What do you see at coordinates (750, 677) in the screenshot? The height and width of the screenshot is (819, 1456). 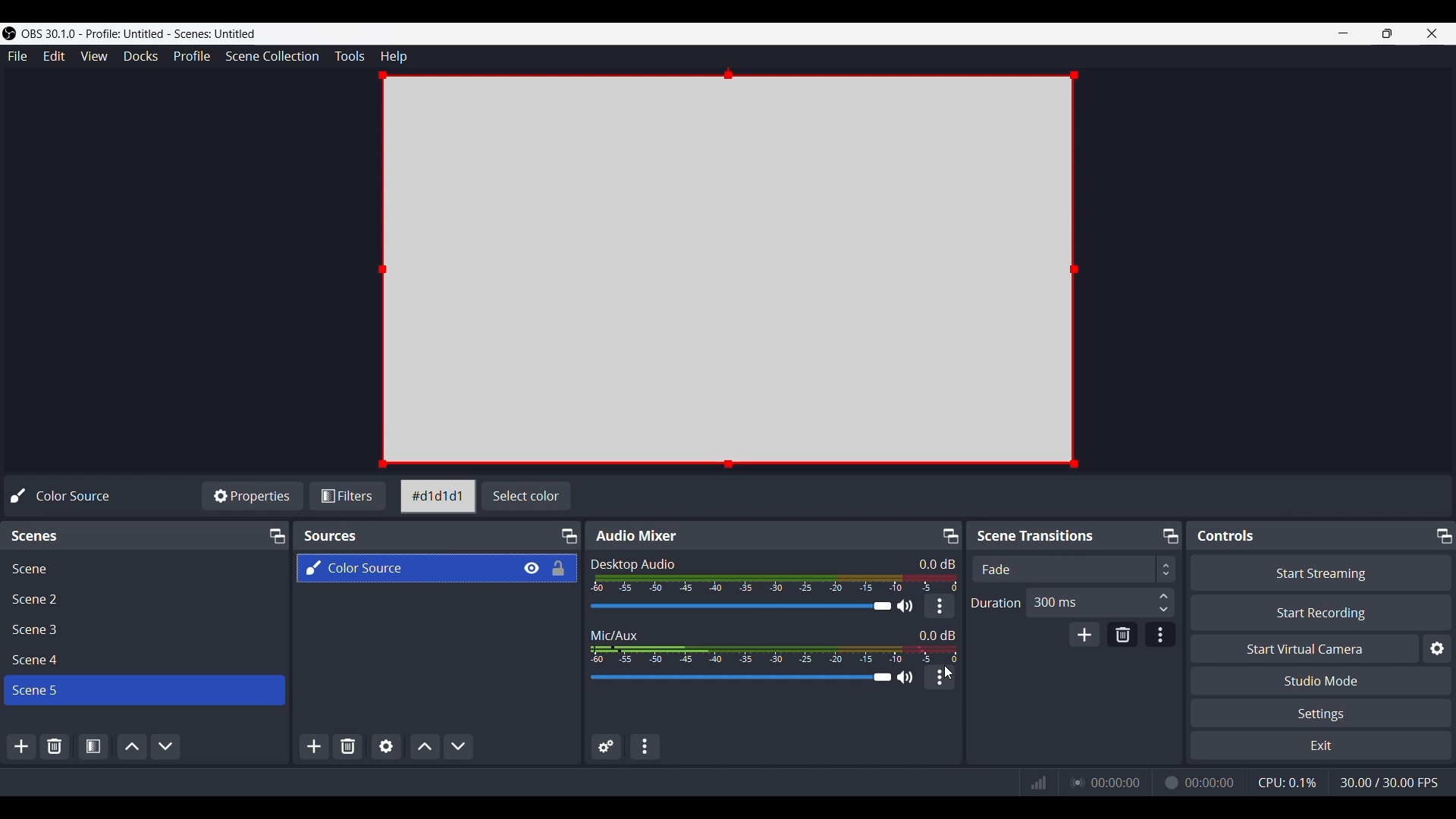 I see `Volume Adjuster` at bounding box center [750, 677].